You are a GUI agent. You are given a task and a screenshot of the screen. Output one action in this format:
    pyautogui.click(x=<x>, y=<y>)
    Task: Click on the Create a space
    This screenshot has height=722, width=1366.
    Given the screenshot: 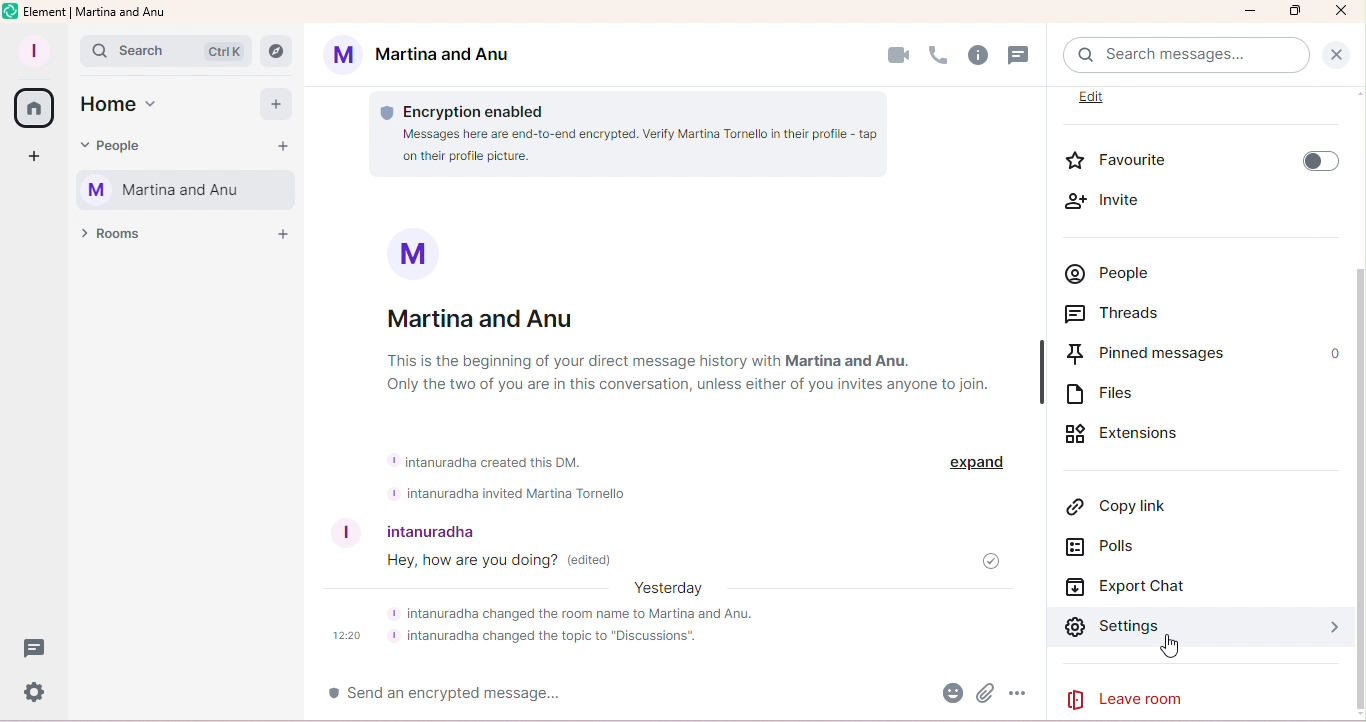 What is the action you would take?
    pyautogui.click(x=38, y=160)
    